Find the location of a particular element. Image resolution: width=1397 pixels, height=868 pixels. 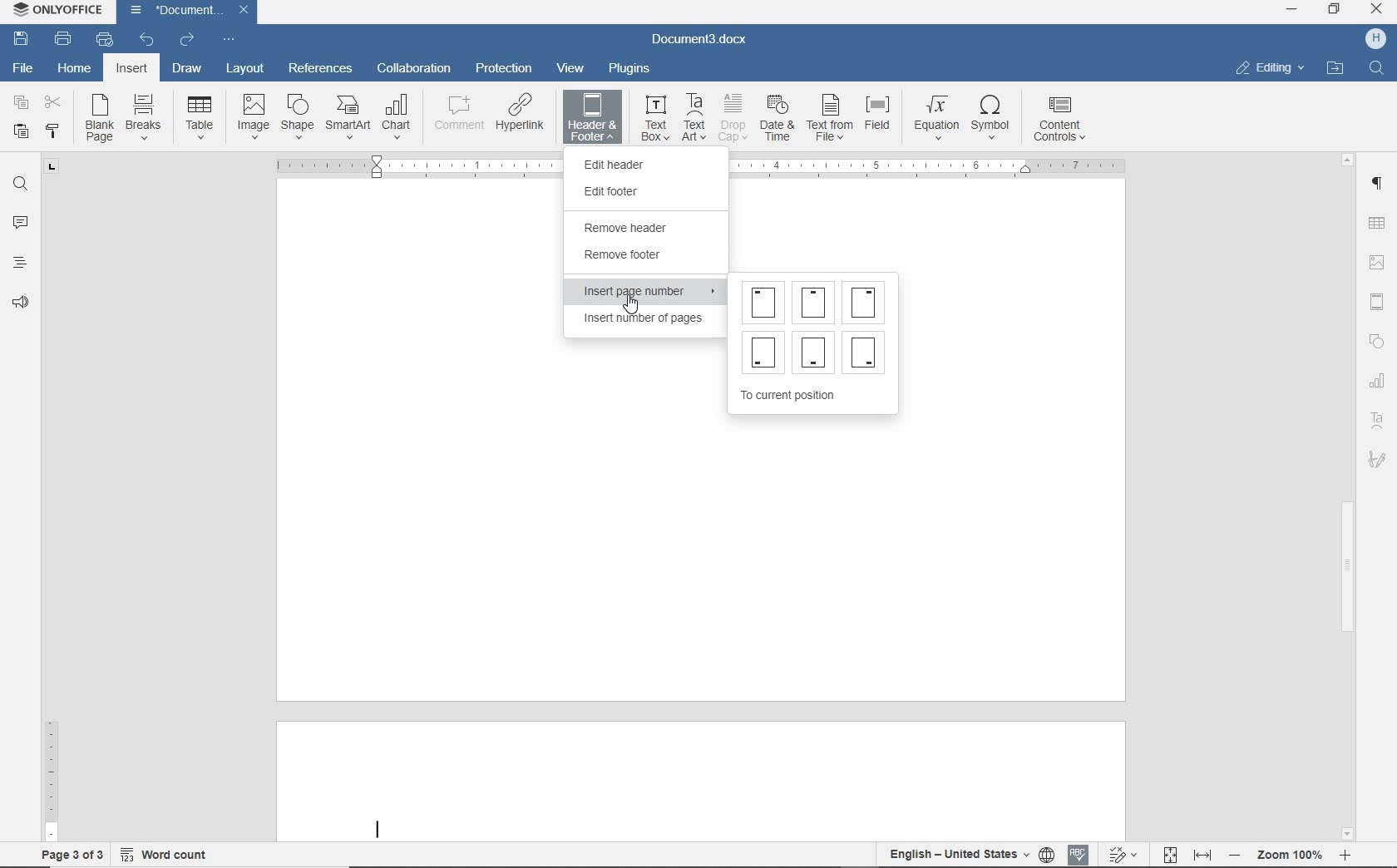

cursor is located at coordinates (633, 304).